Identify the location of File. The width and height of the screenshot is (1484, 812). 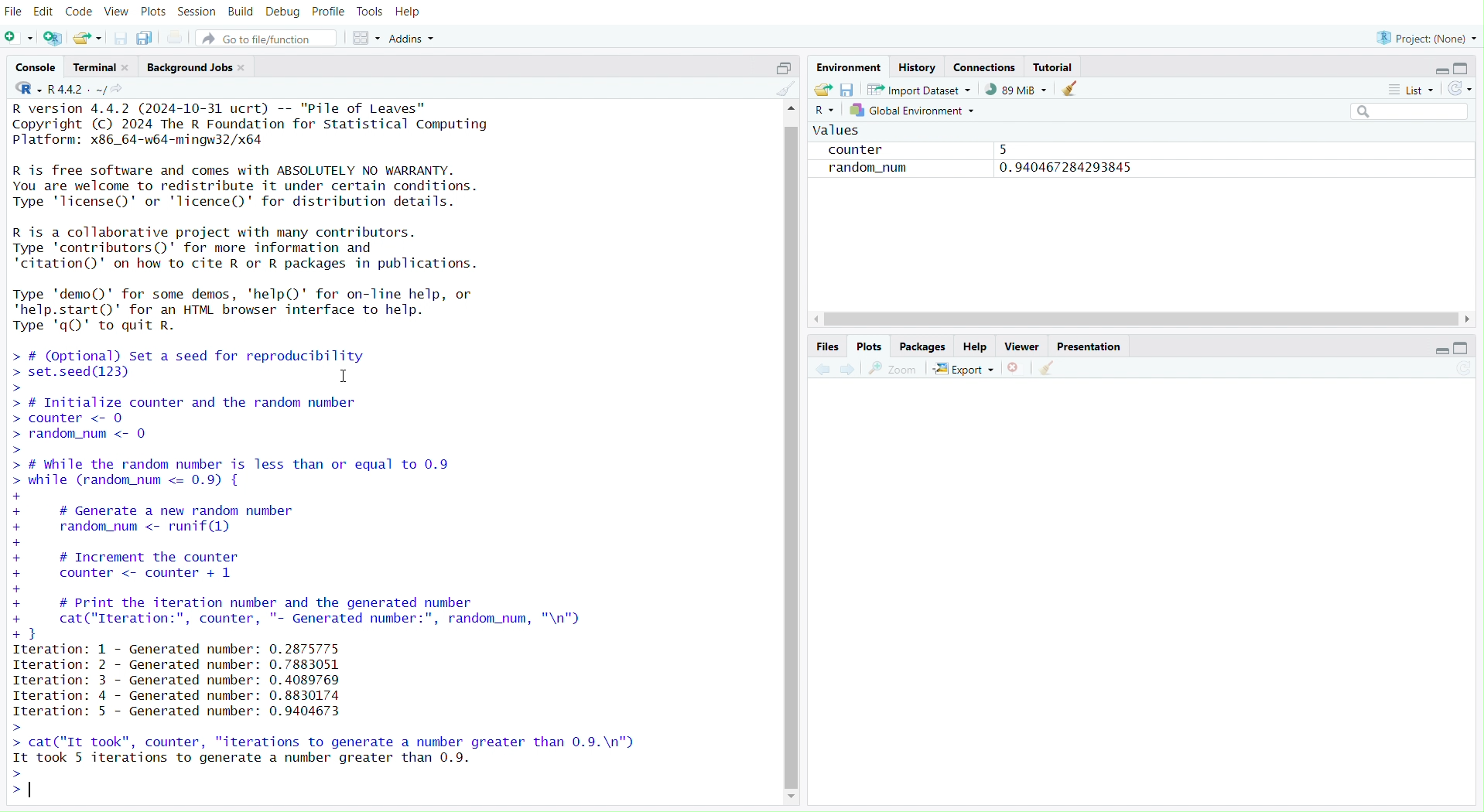
(15, 12).